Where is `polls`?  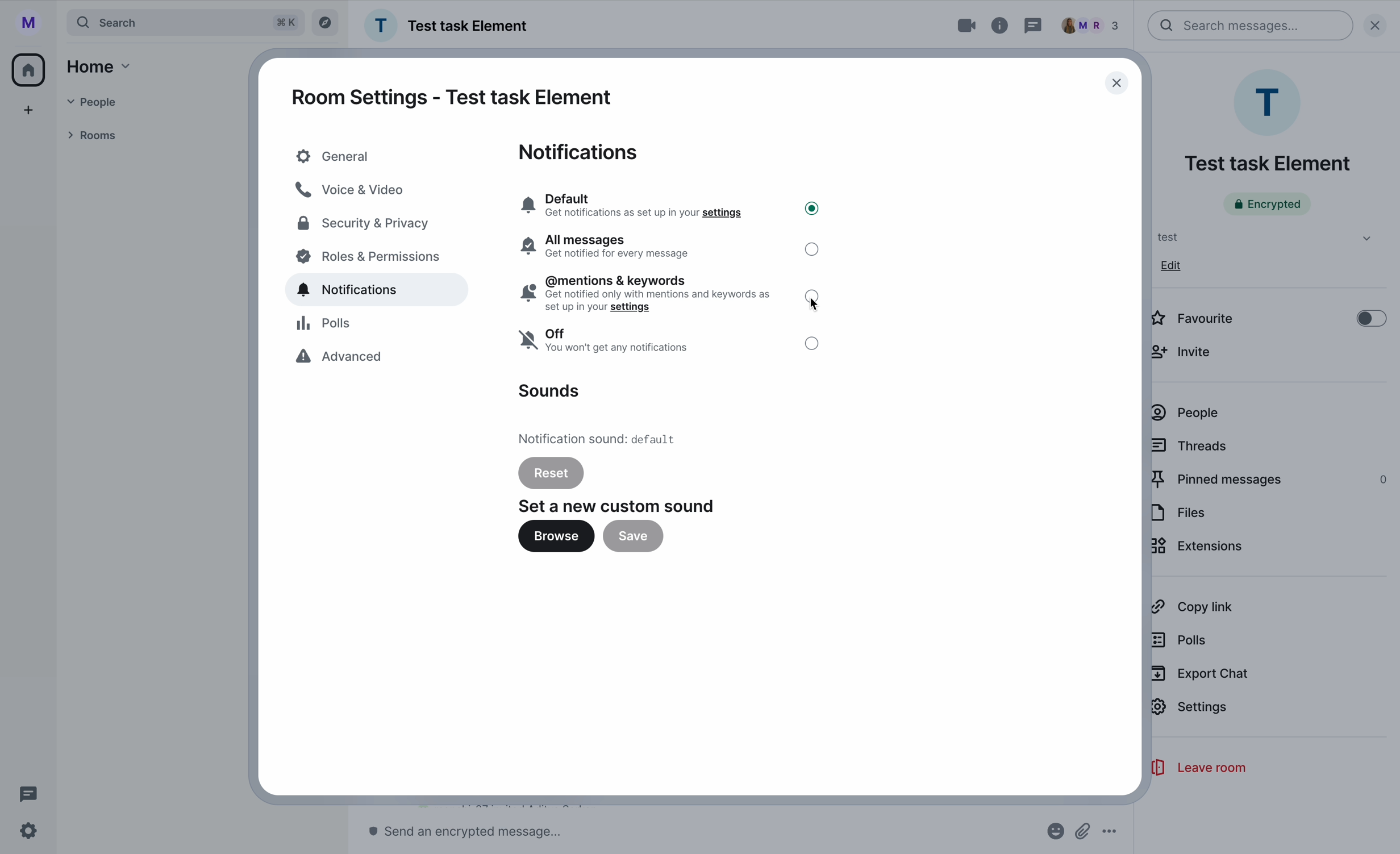 polls is located at coordinates (328, 324).